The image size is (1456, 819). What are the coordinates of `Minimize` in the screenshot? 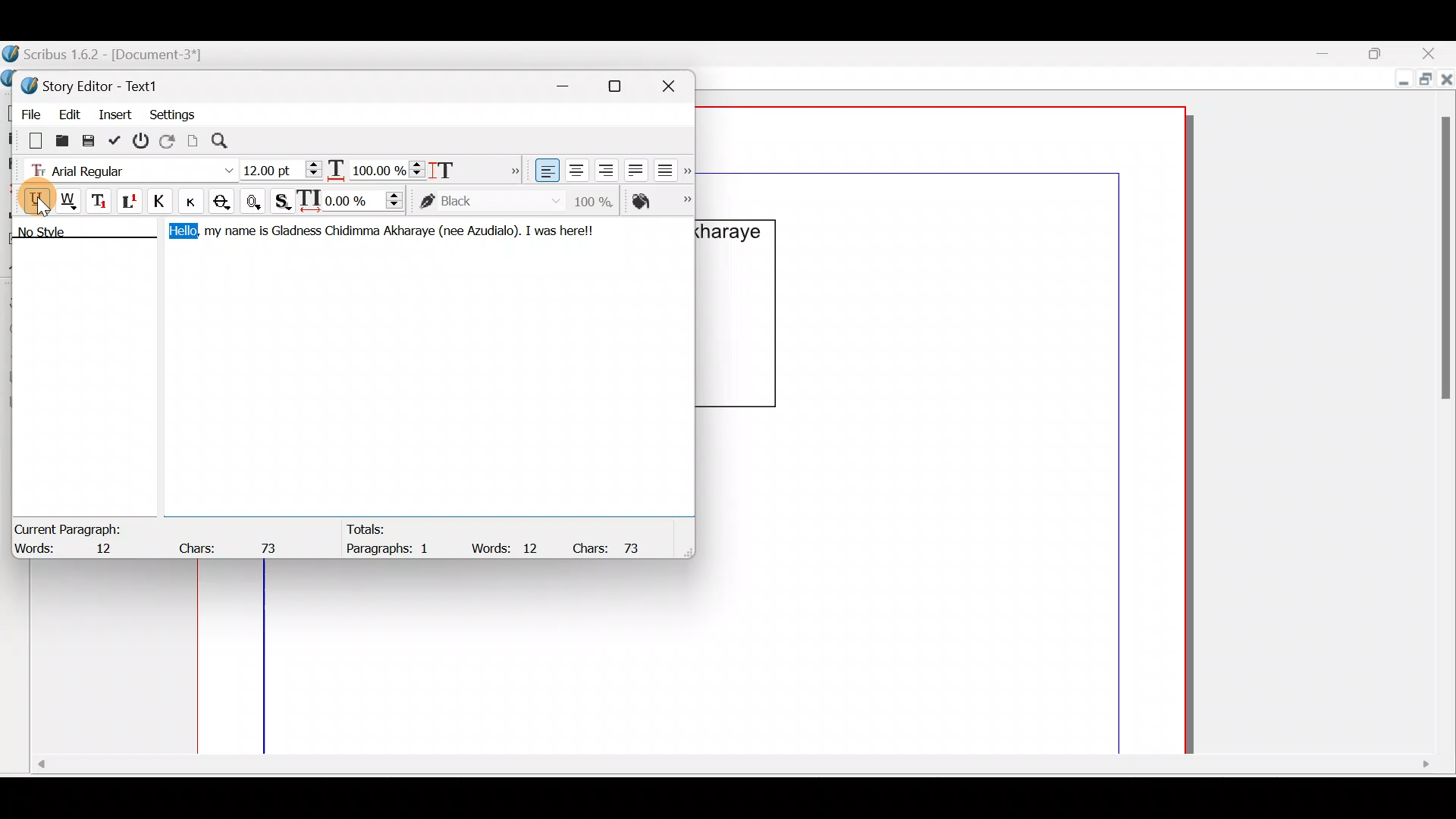 It's located at (571, 83).